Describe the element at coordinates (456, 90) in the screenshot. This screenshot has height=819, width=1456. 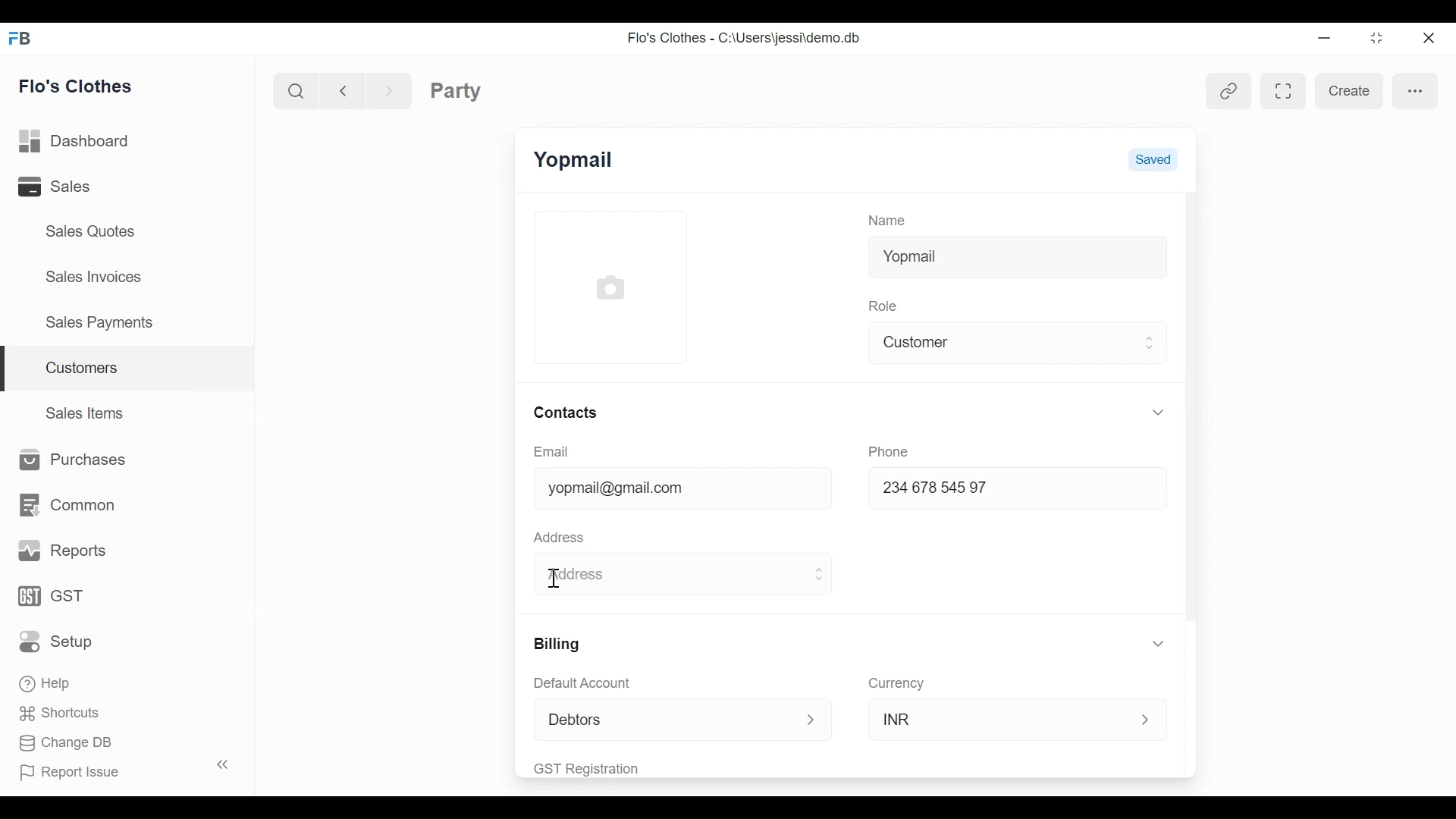
I see `Party` at that location.